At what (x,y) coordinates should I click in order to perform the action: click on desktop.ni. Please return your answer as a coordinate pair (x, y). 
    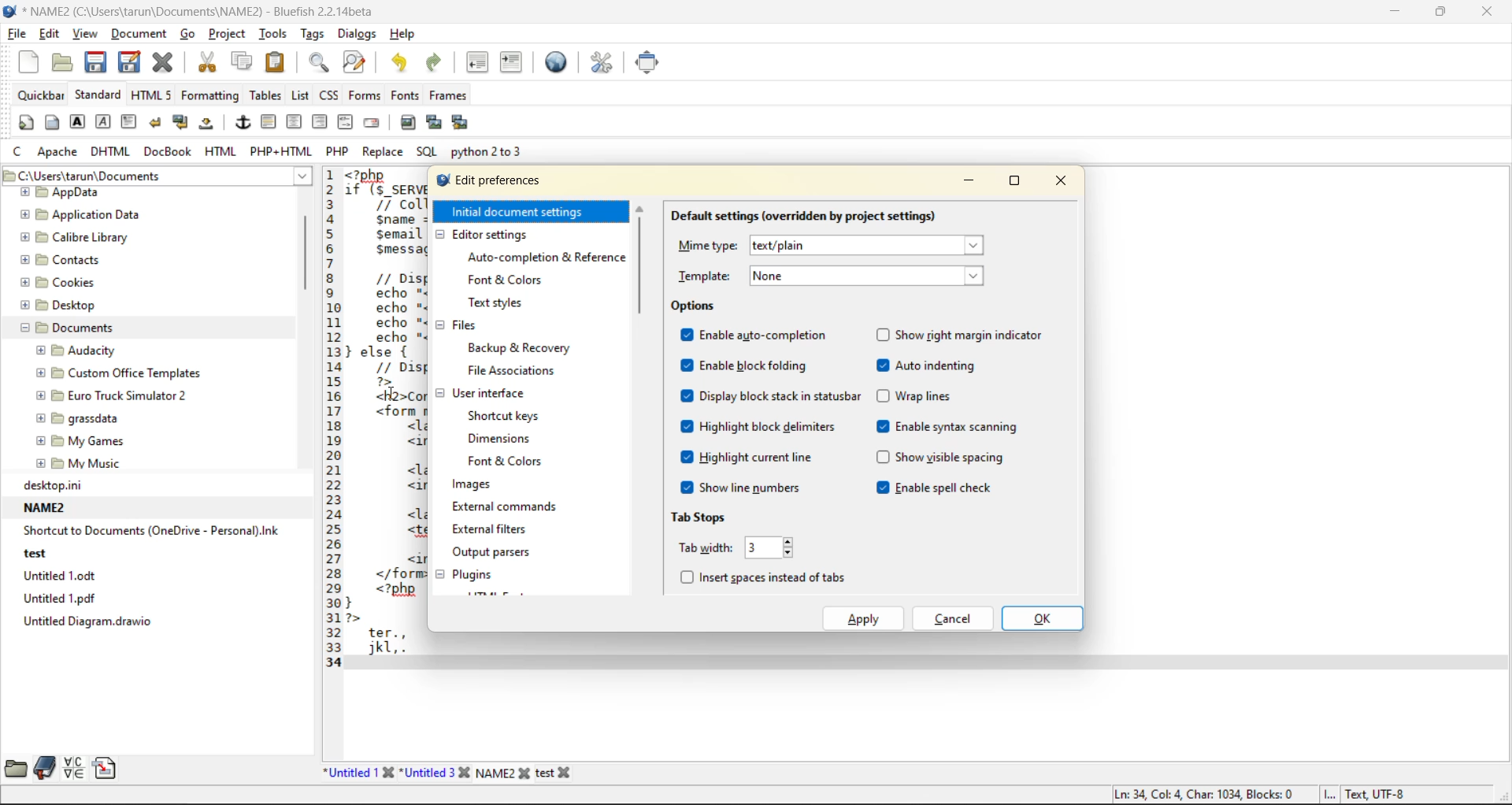
    Looking at the image, I should click on (48, 487).